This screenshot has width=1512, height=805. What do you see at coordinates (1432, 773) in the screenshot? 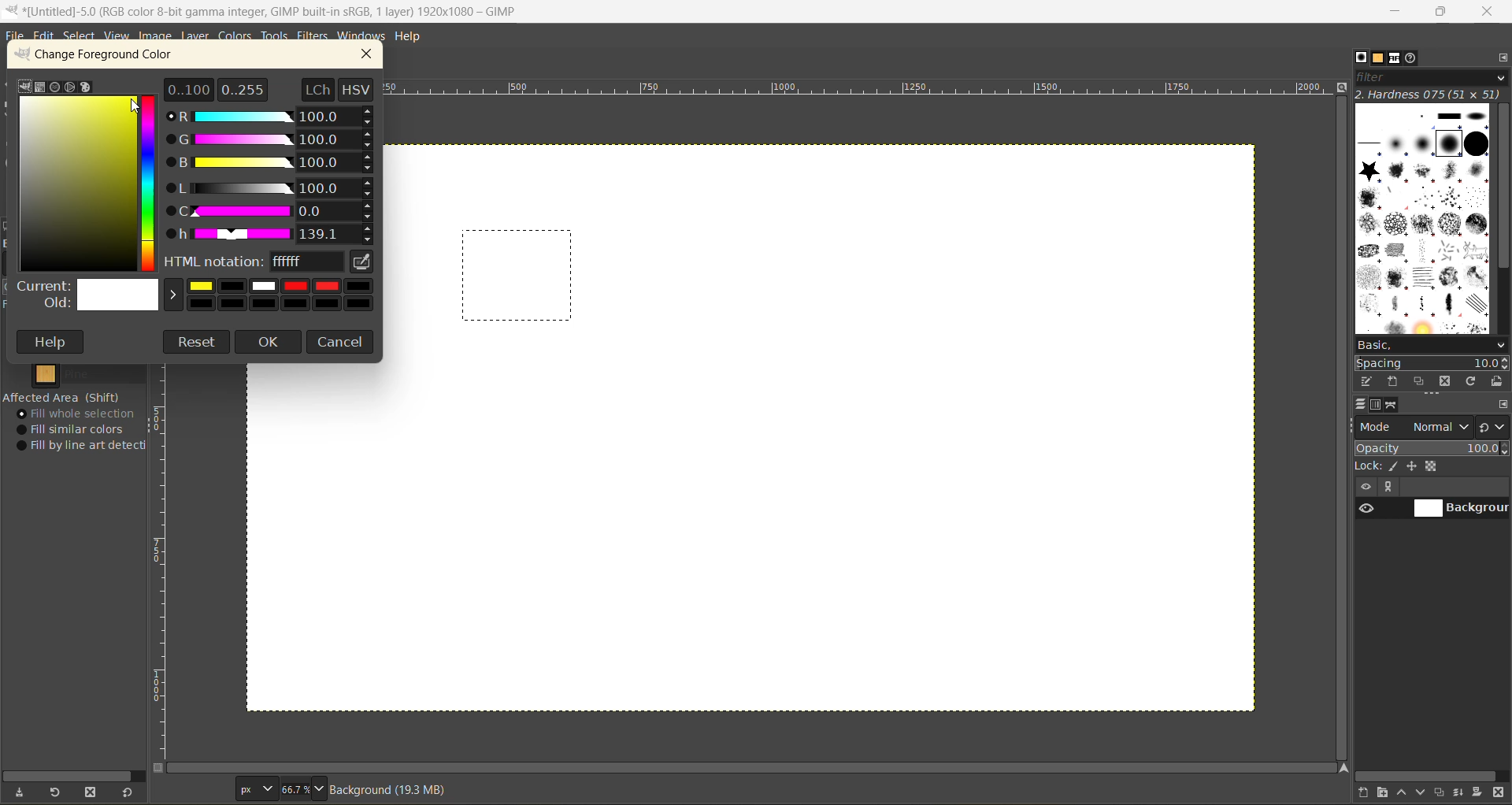
I see `horizontal scroll bar` at bounding box center [1432, 773].